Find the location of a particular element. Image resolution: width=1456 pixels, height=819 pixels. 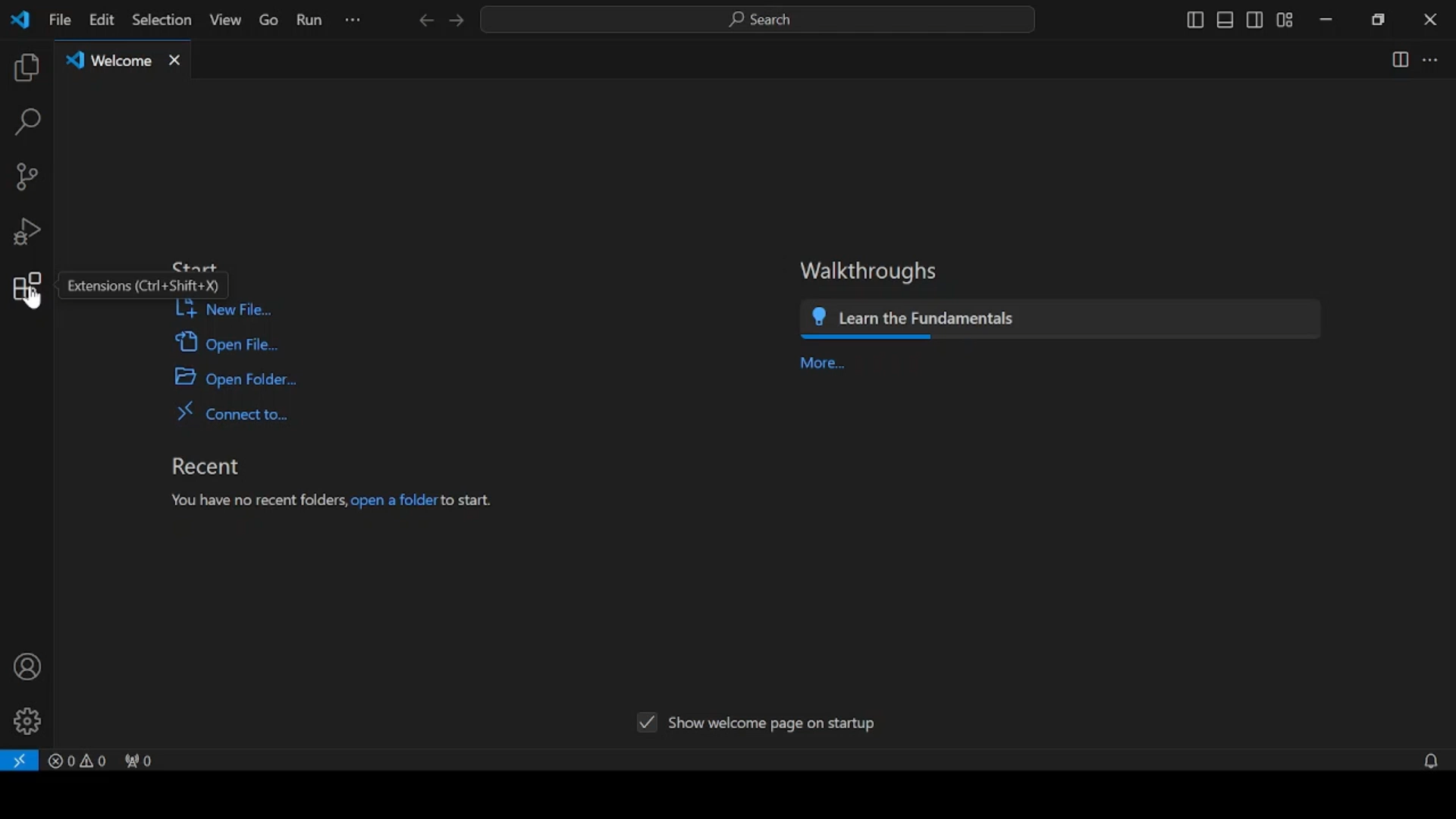

view is located at coordinates (223, 20).